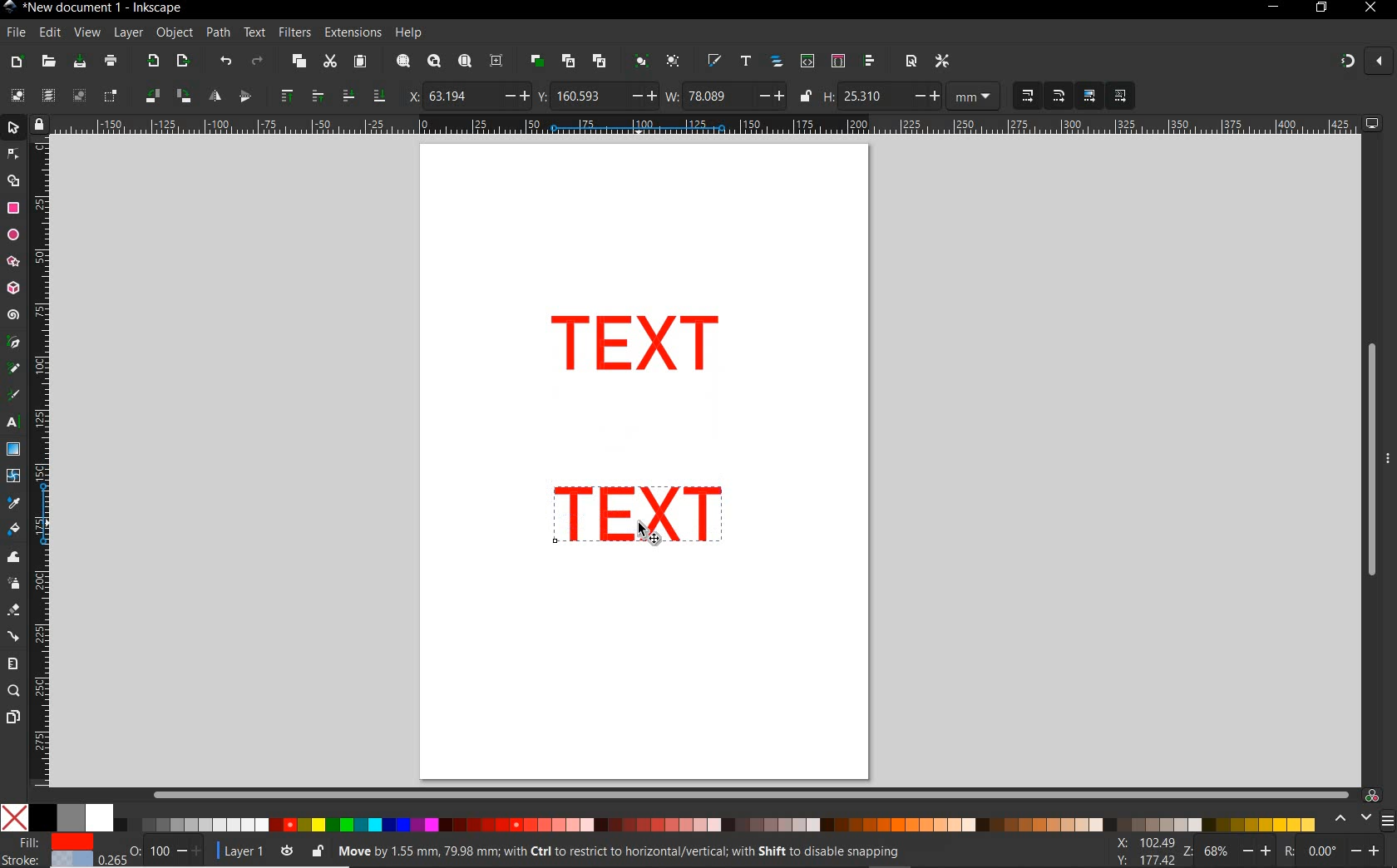 This screenshot has height=868, width=1397. What do you see at coordinates (93, 7) in the screenshot?
I see `file name` at bounding box center [93, 7].